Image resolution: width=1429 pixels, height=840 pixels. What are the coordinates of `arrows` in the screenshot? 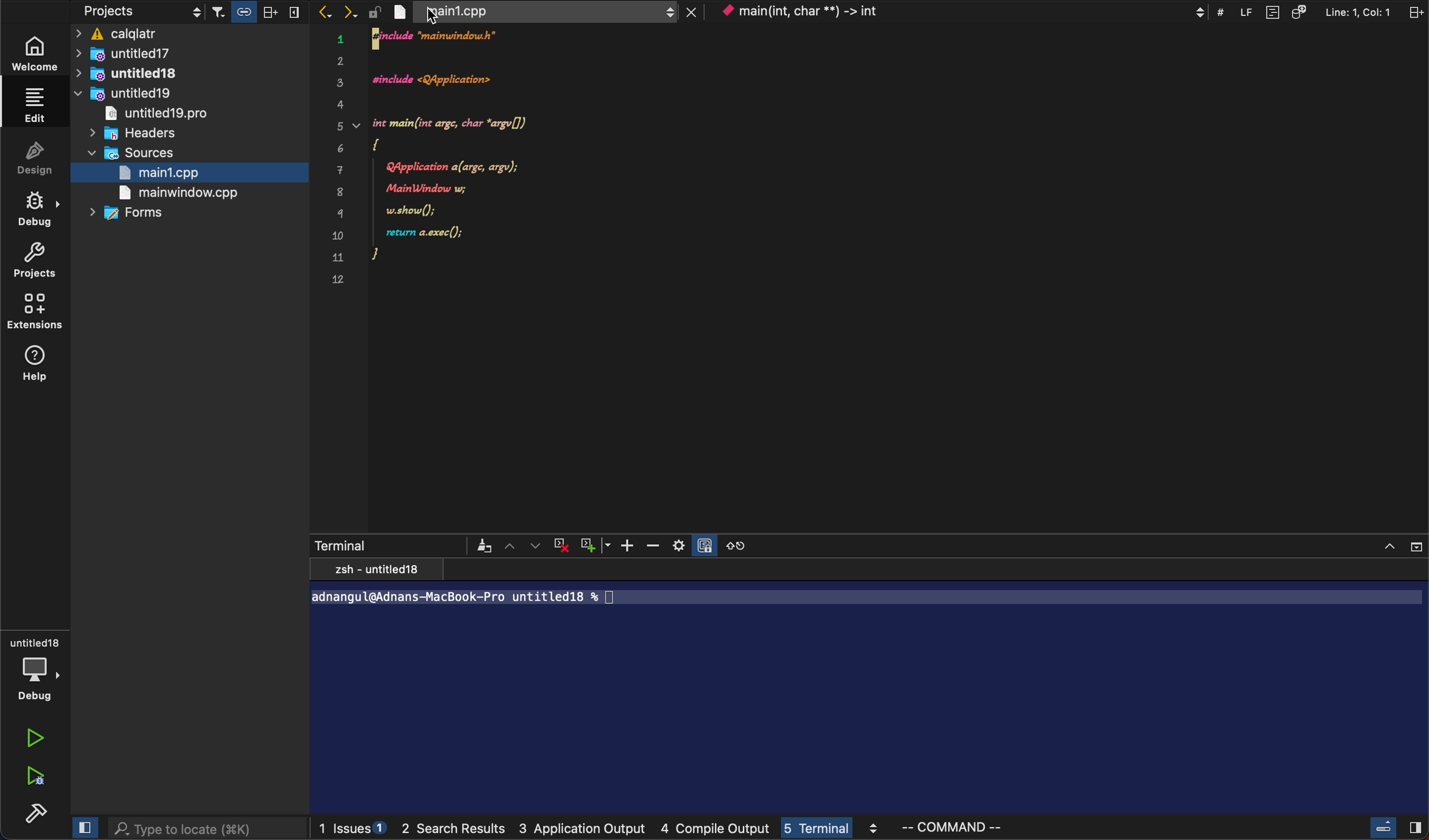 It's located at (338, 11).